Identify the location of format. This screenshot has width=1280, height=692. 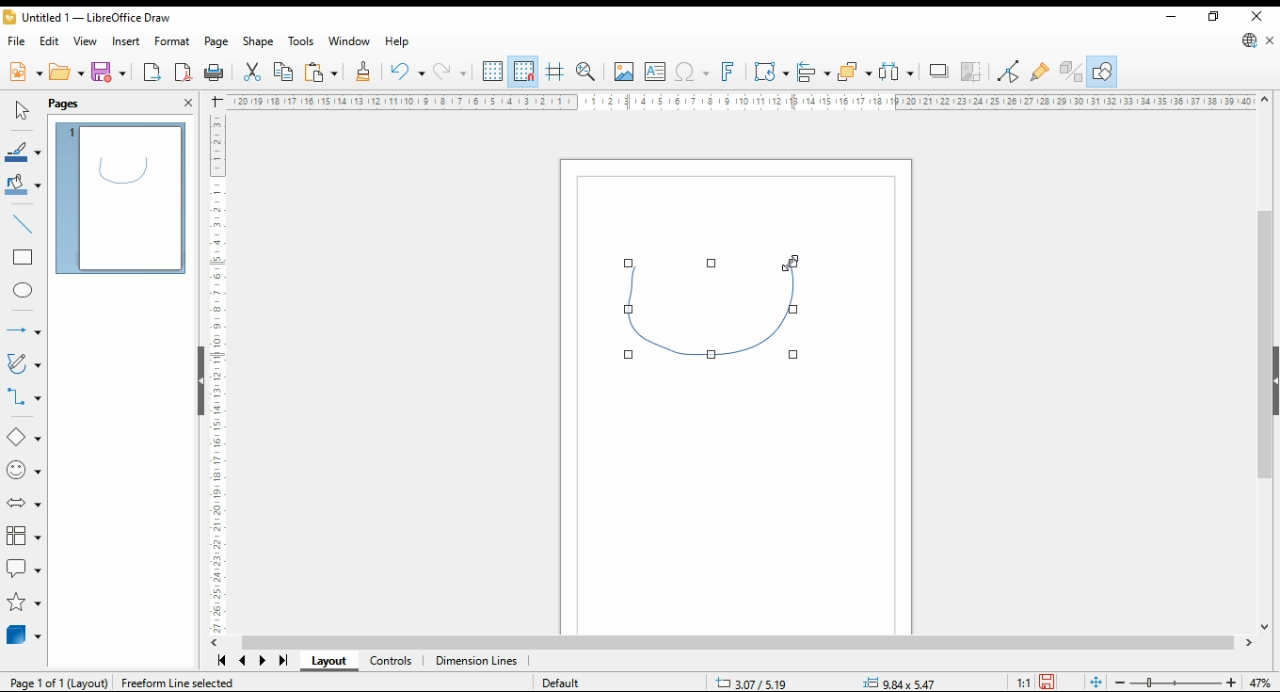
(172, 41).